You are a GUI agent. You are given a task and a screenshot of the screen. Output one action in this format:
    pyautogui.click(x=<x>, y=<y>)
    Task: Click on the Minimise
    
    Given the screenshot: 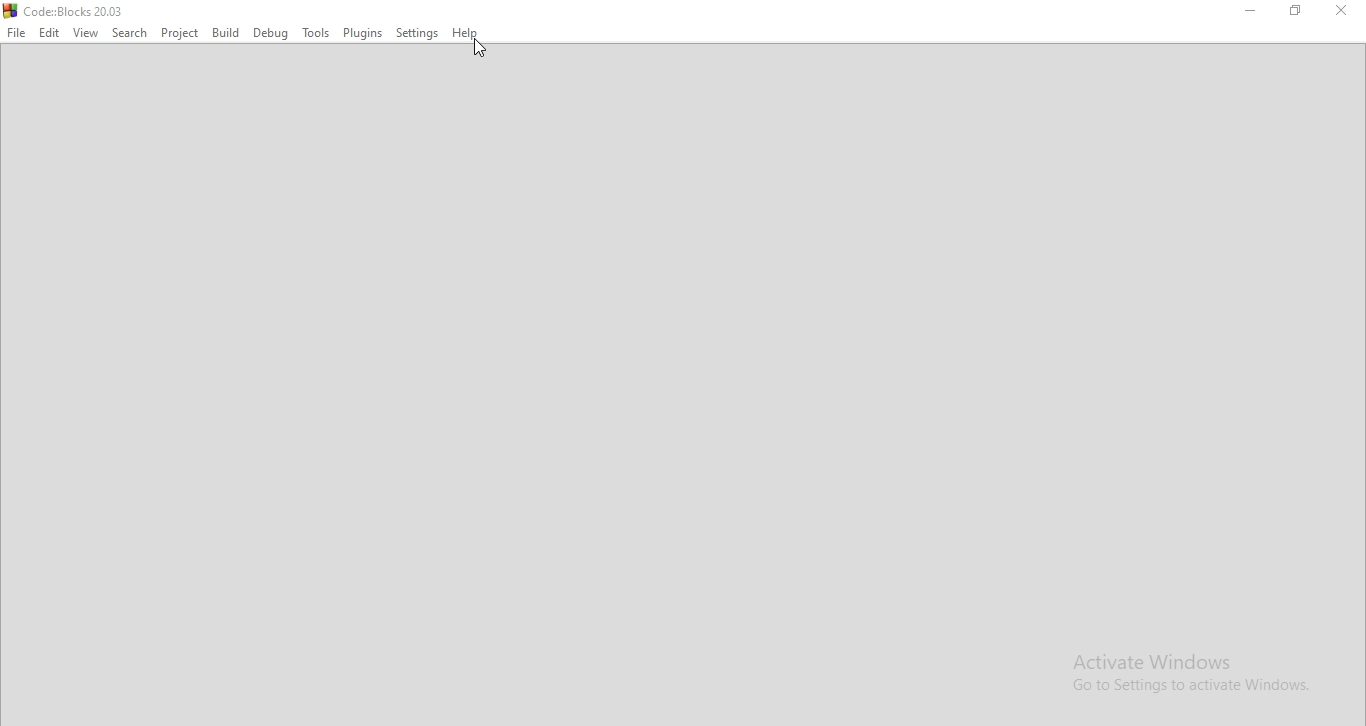 What is the action you would take?
    pyautogui.click(x=1248, y=12)
    